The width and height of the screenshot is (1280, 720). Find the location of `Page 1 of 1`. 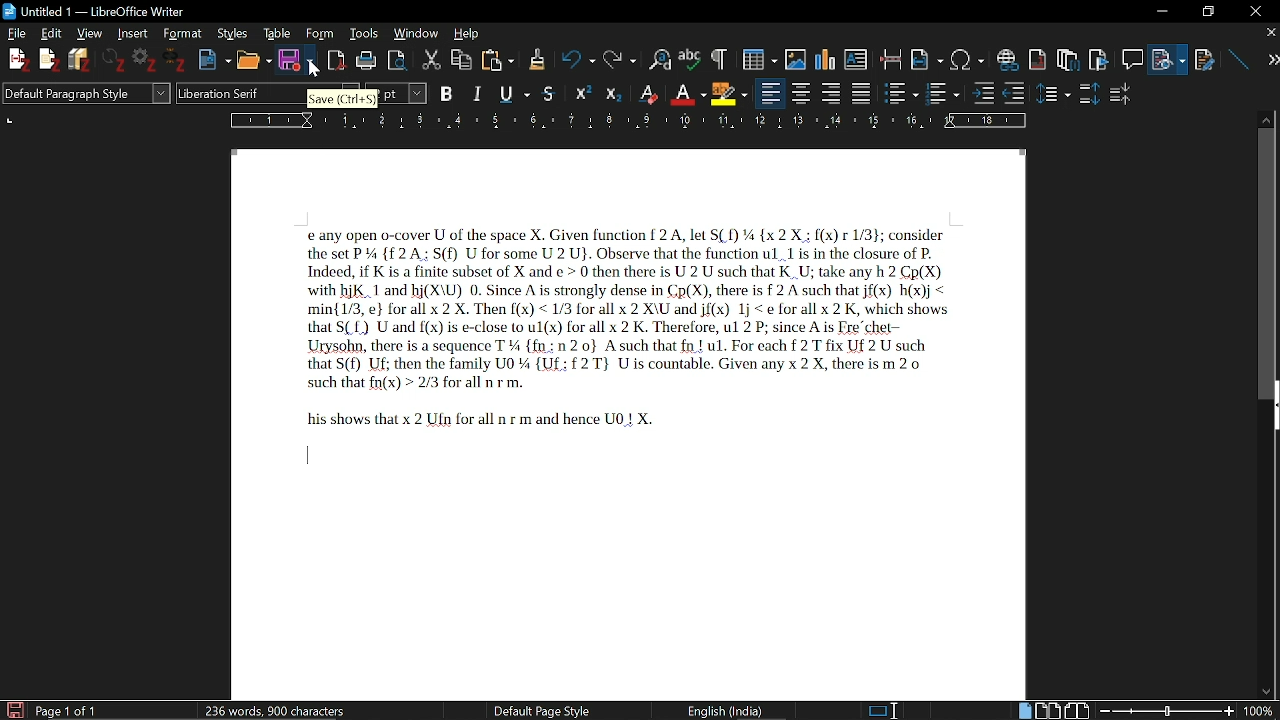

Page 1 of 1 is located at coordinates (66, 709).